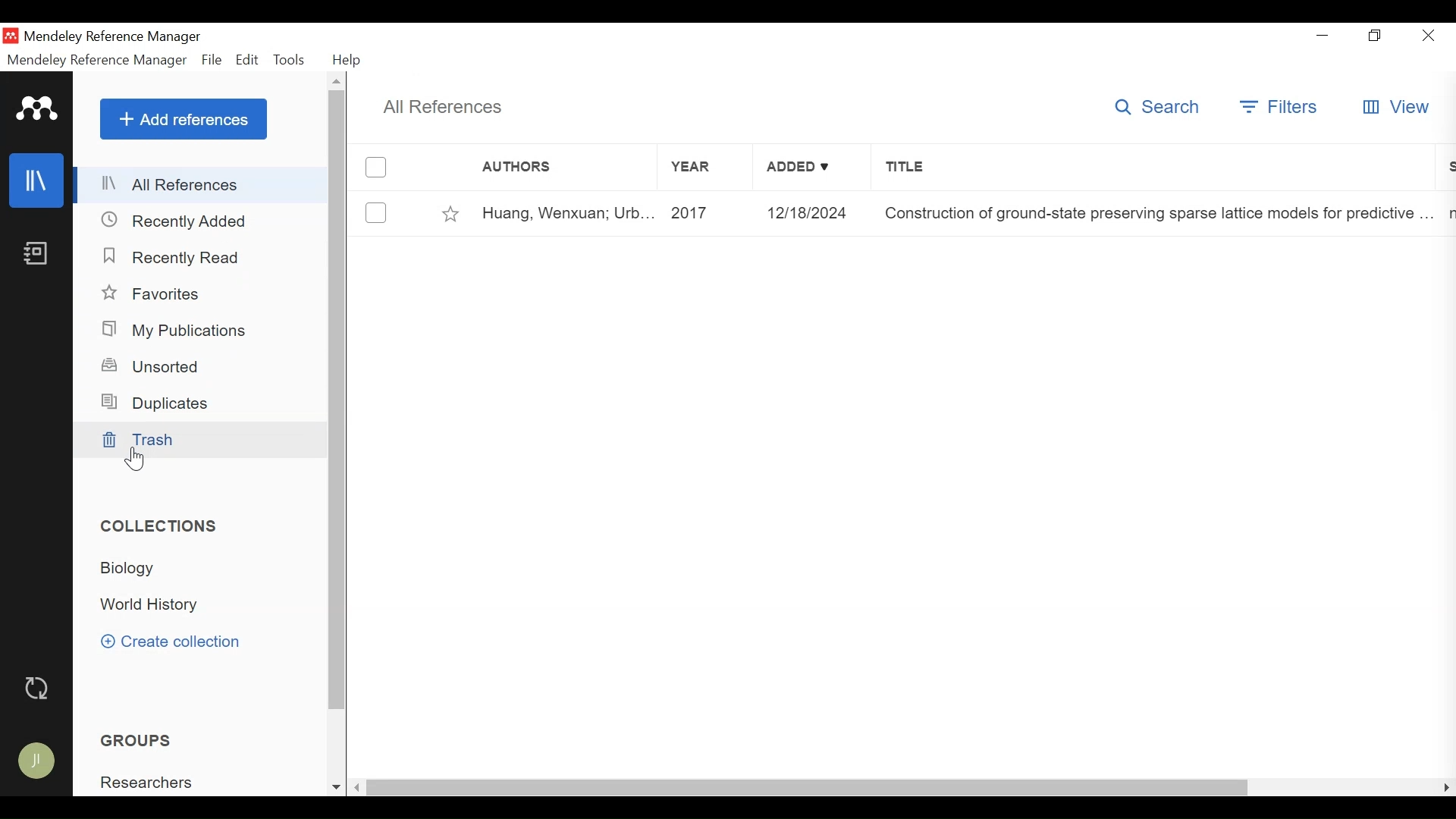 The width and height of the screenshot is (1456, 819). I want to click on Scroll down, so click(334, 787).